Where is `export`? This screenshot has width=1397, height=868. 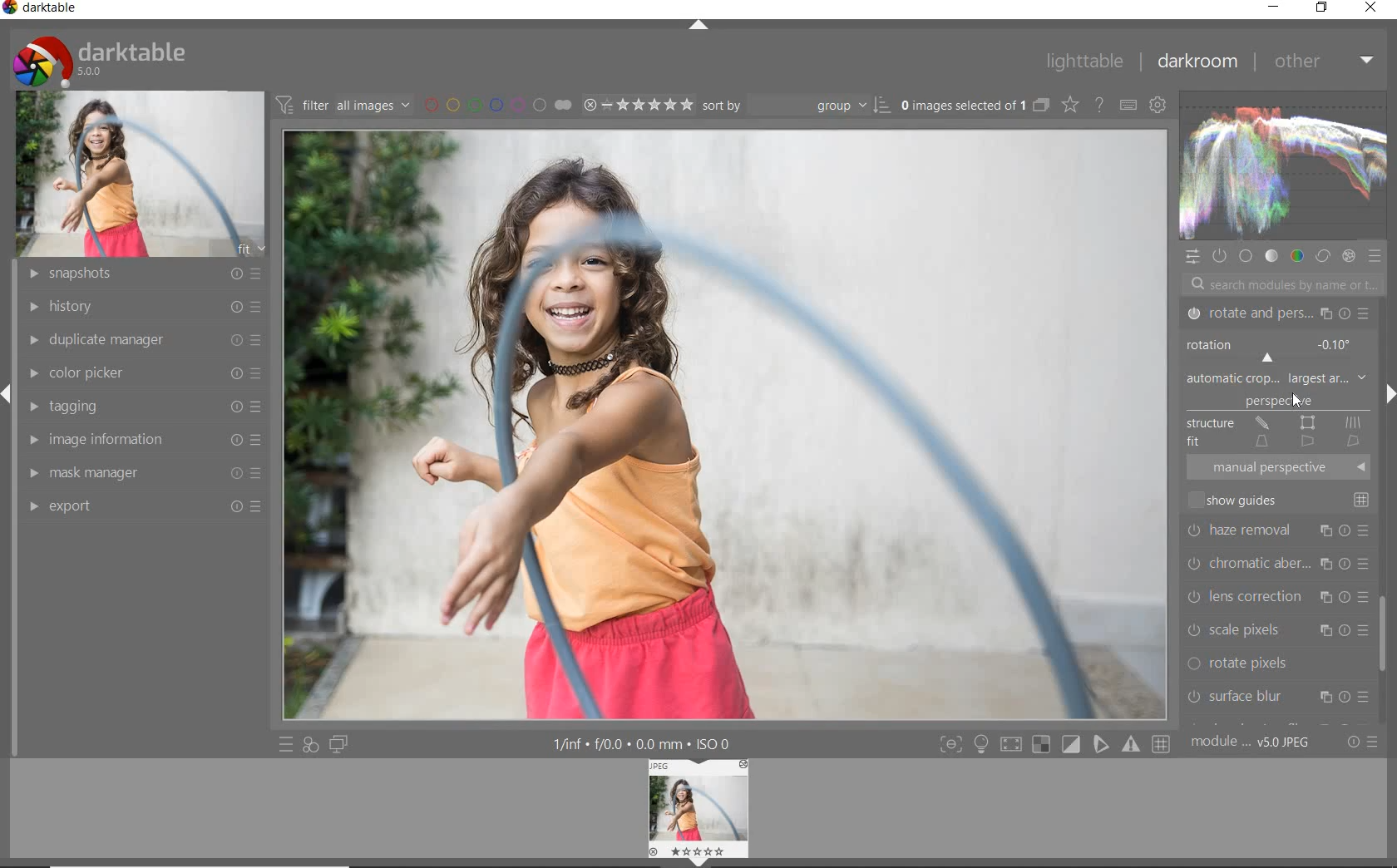
export is located at coordinates (146, 505).